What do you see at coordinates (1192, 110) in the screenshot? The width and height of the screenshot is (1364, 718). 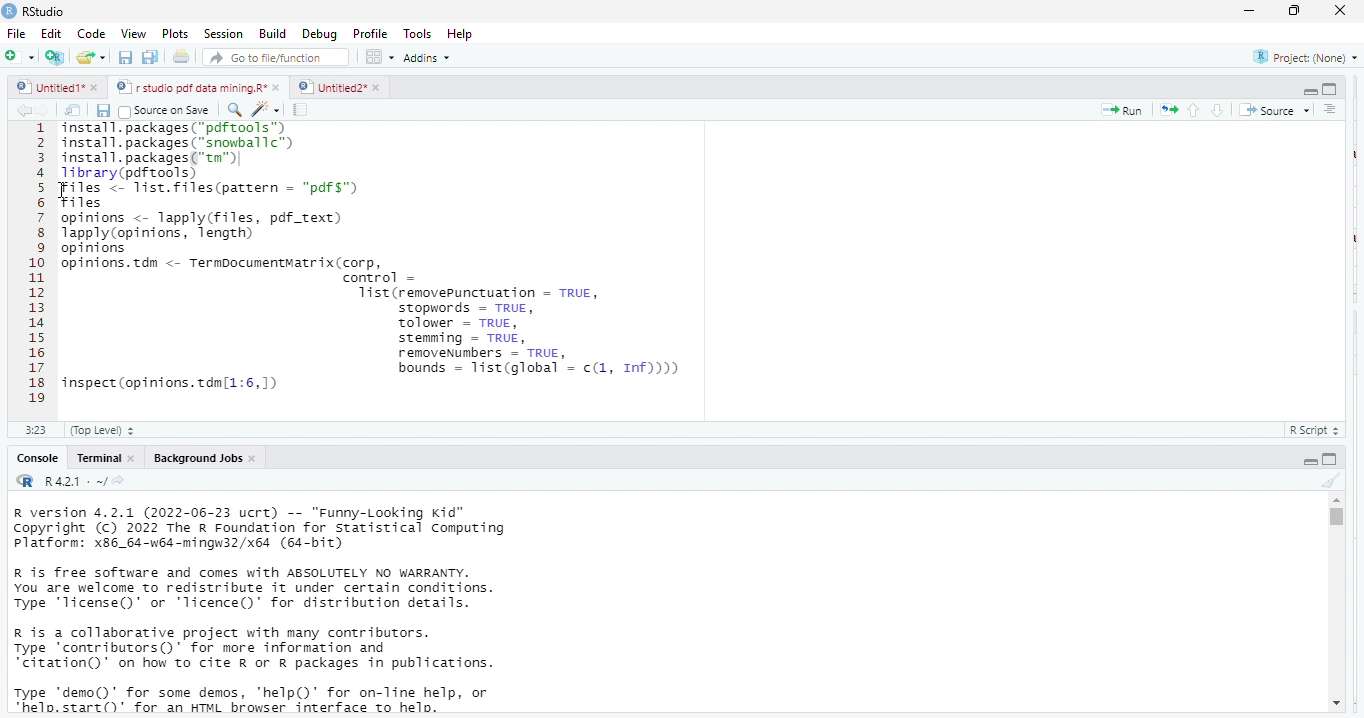 I see `go to previous section/chunk` at bounding box center [1192, 110].